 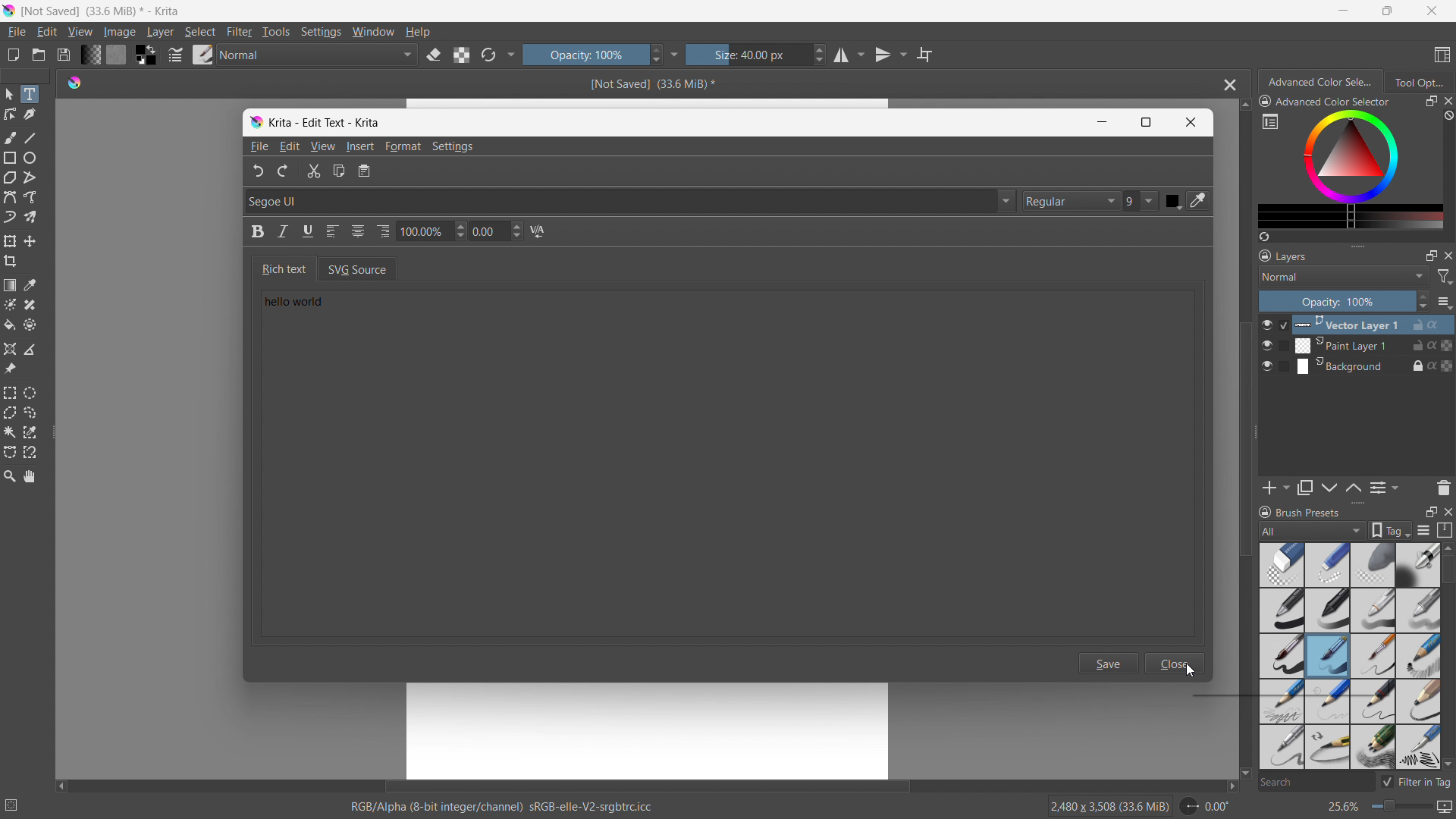 I want to click on small pin brush, so click(x=1372, y=657).